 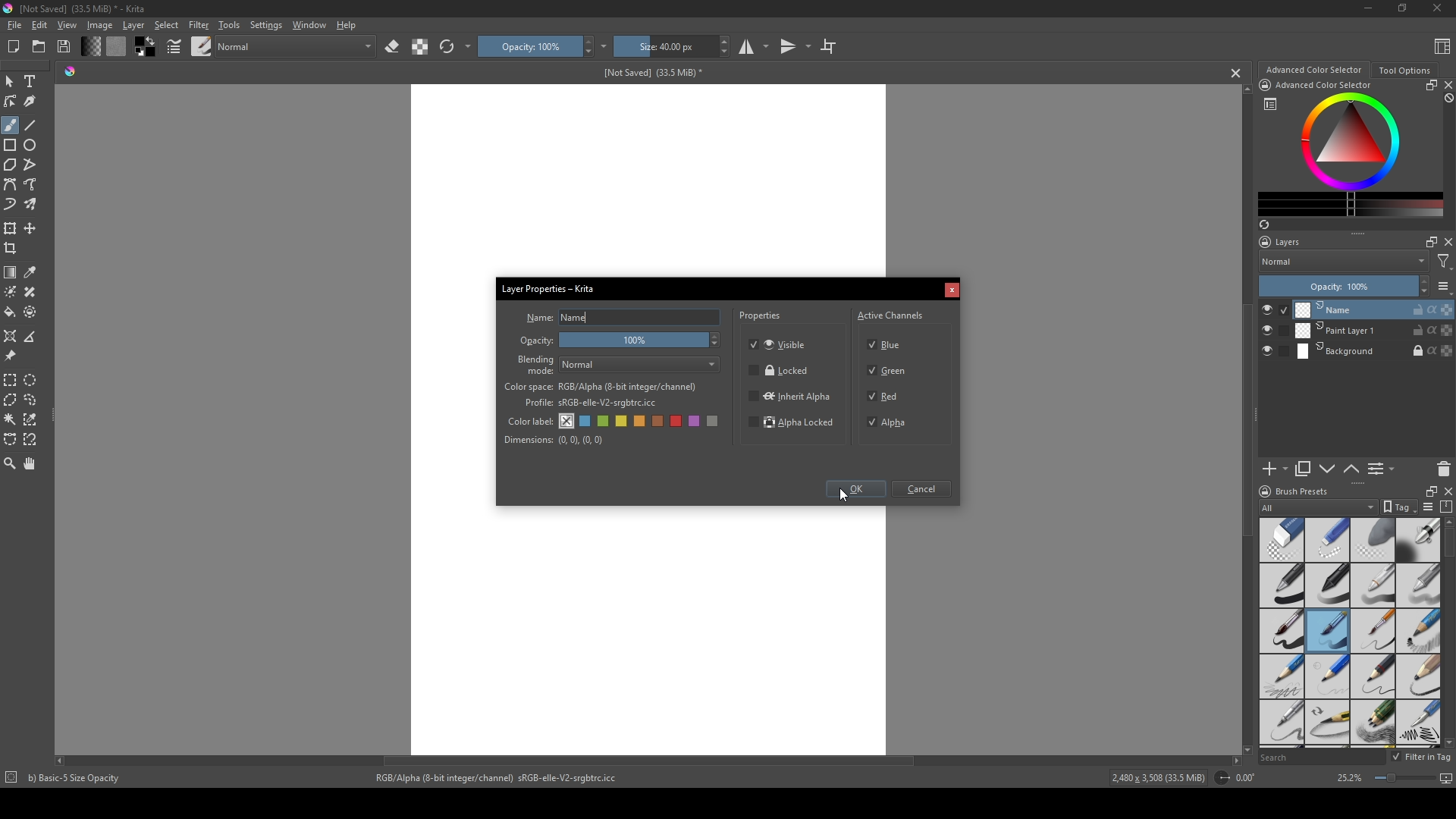 What do you see at coordinates (952, 291) in the screenshot?
I see `Cancel` at bounding box center [952, 291].